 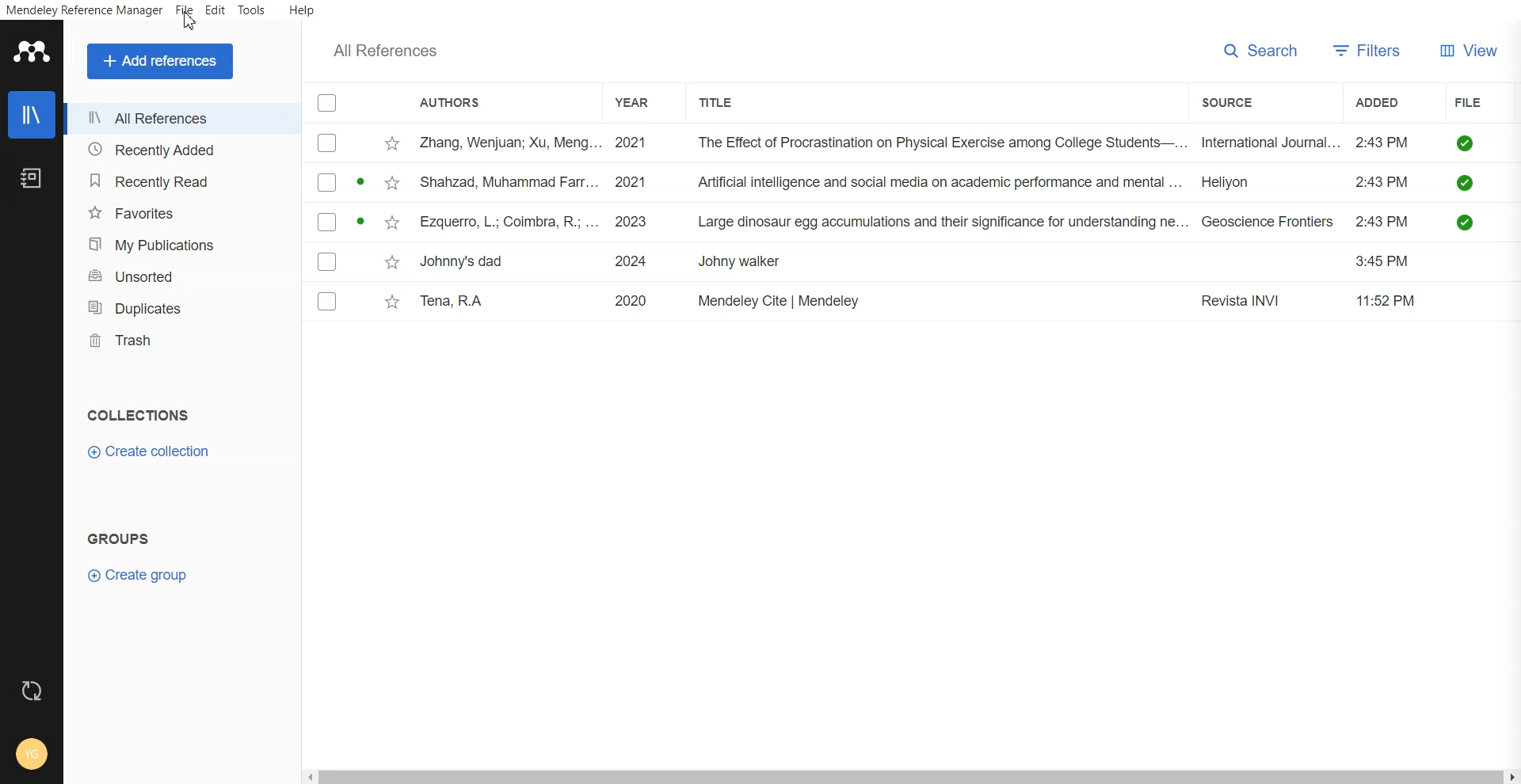 I want to click on Source, so click(x=1235, y=103).